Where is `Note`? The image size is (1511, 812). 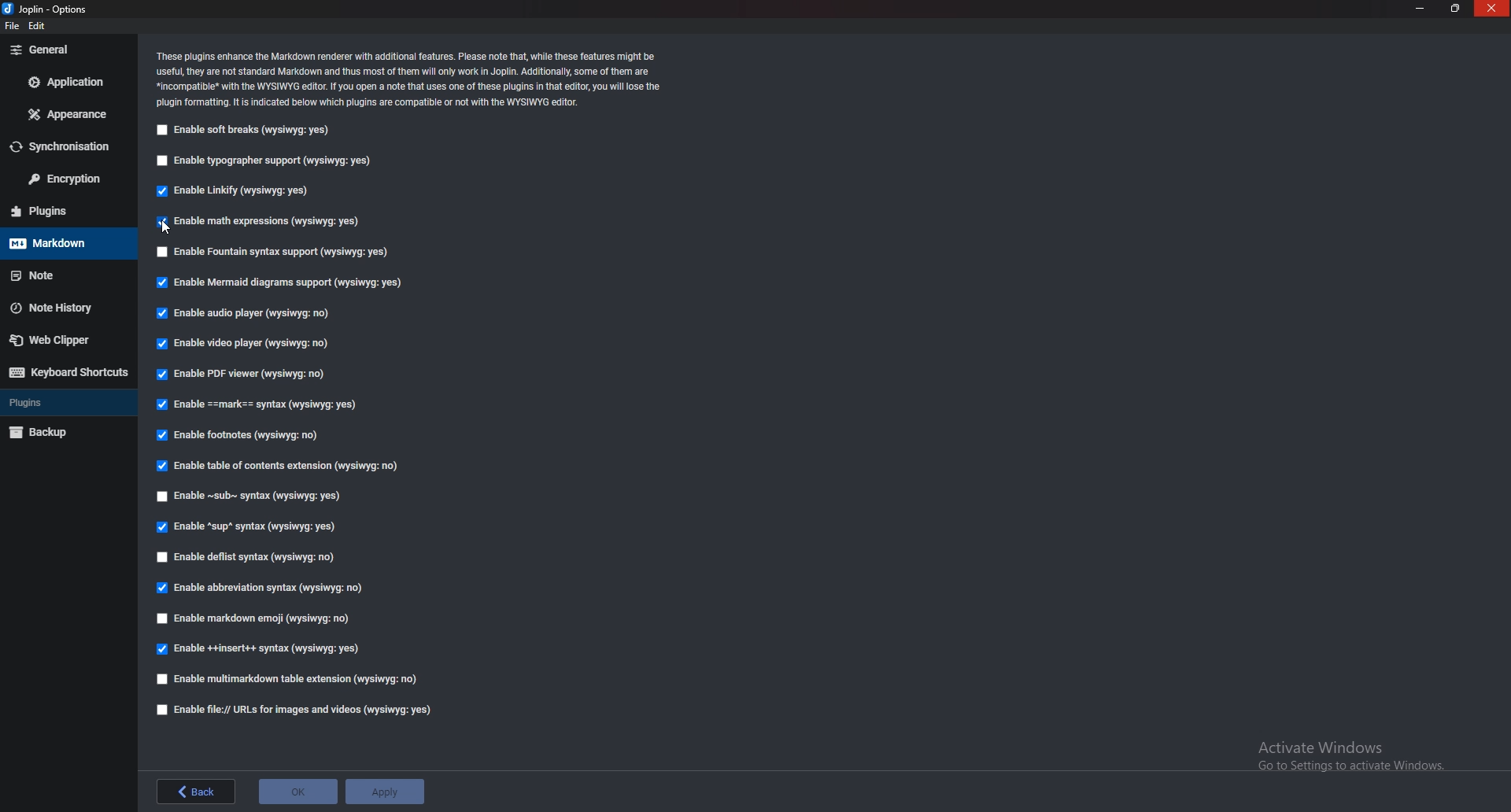 Note is located at coordinates (66, 273).